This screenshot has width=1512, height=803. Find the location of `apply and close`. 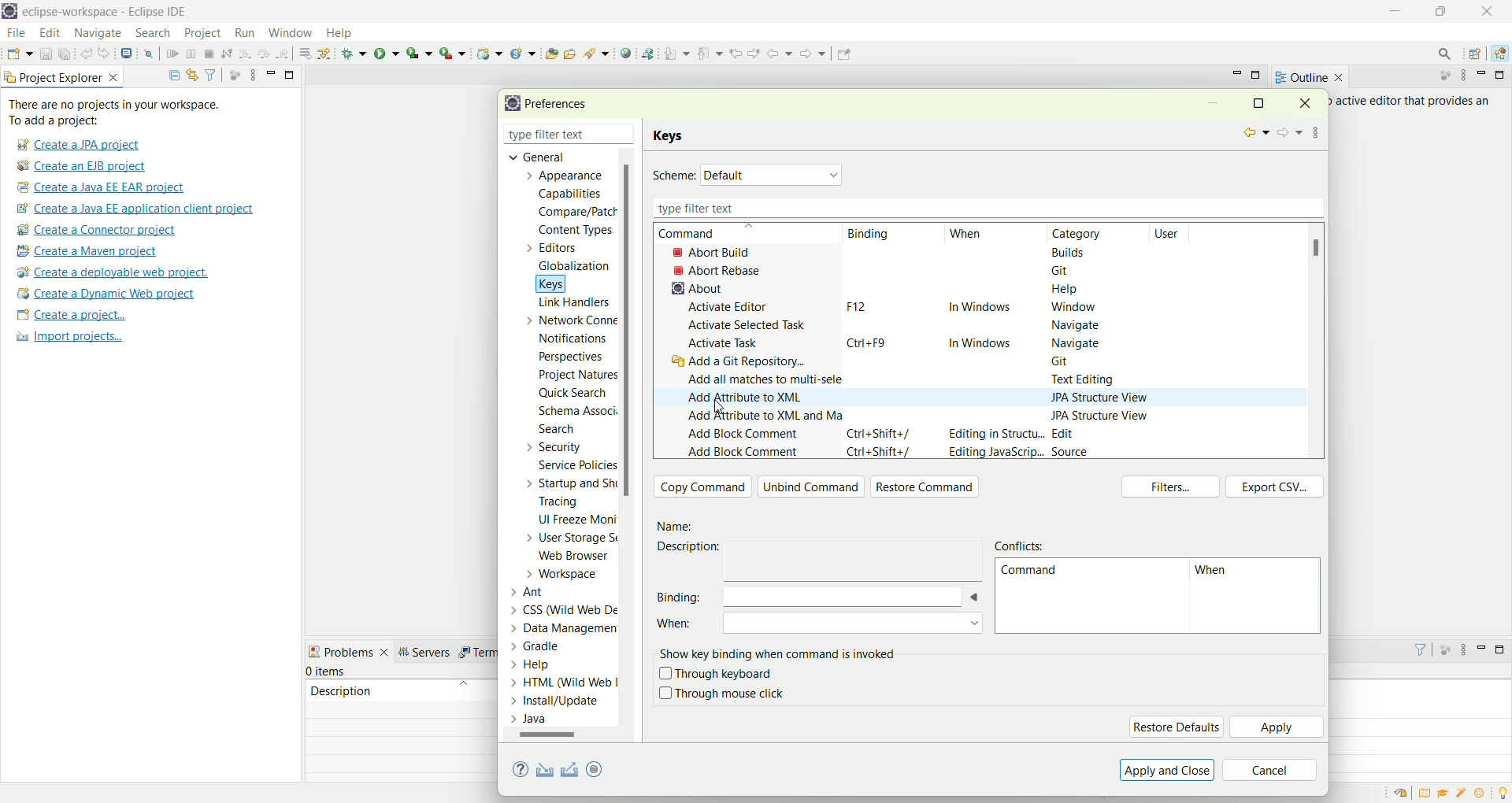

apply and close is located at coordinates (1165, 770).